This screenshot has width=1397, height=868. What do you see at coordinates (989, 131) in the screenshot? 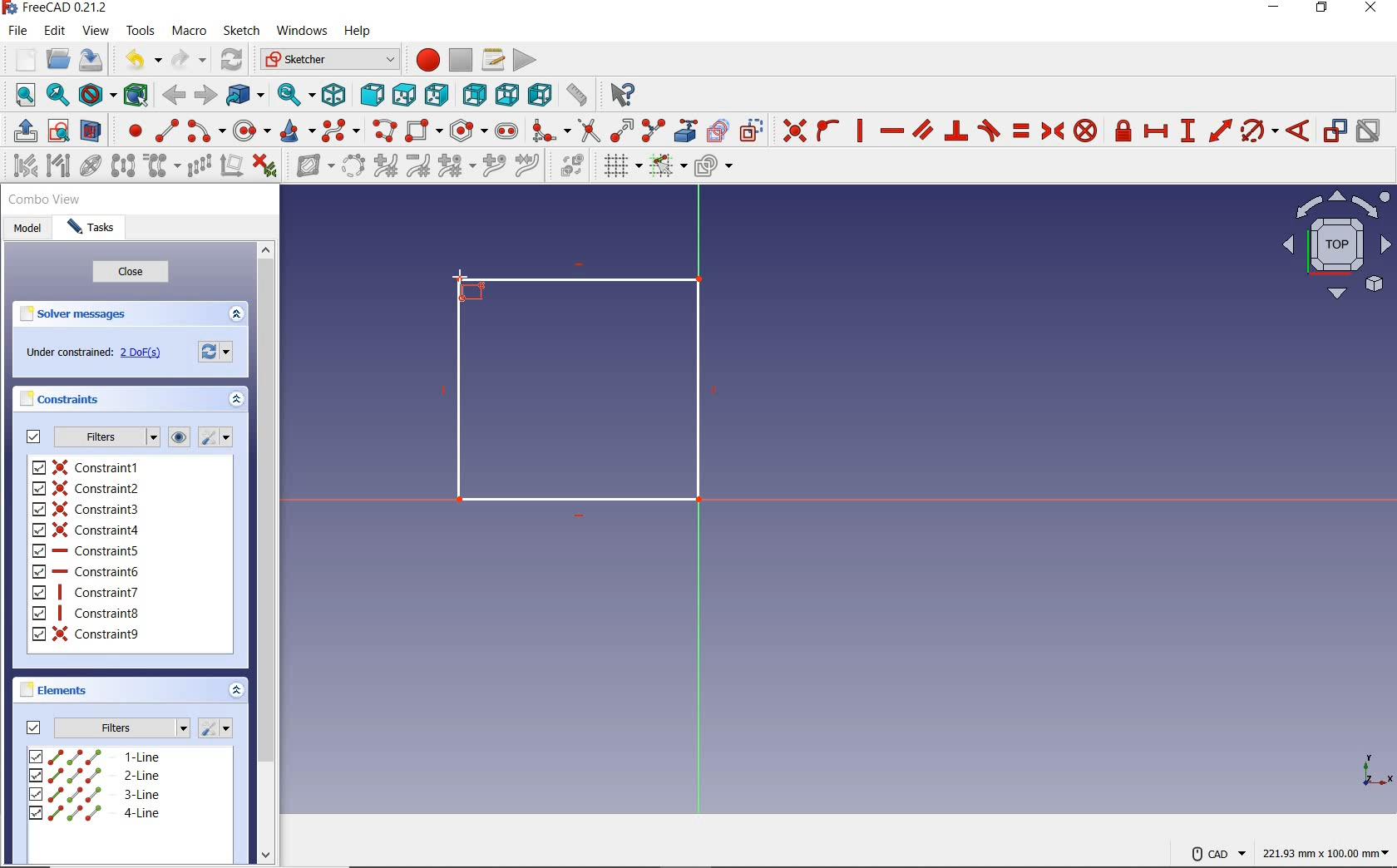
I see `constrain tangent` at bounding box center [989, 131].